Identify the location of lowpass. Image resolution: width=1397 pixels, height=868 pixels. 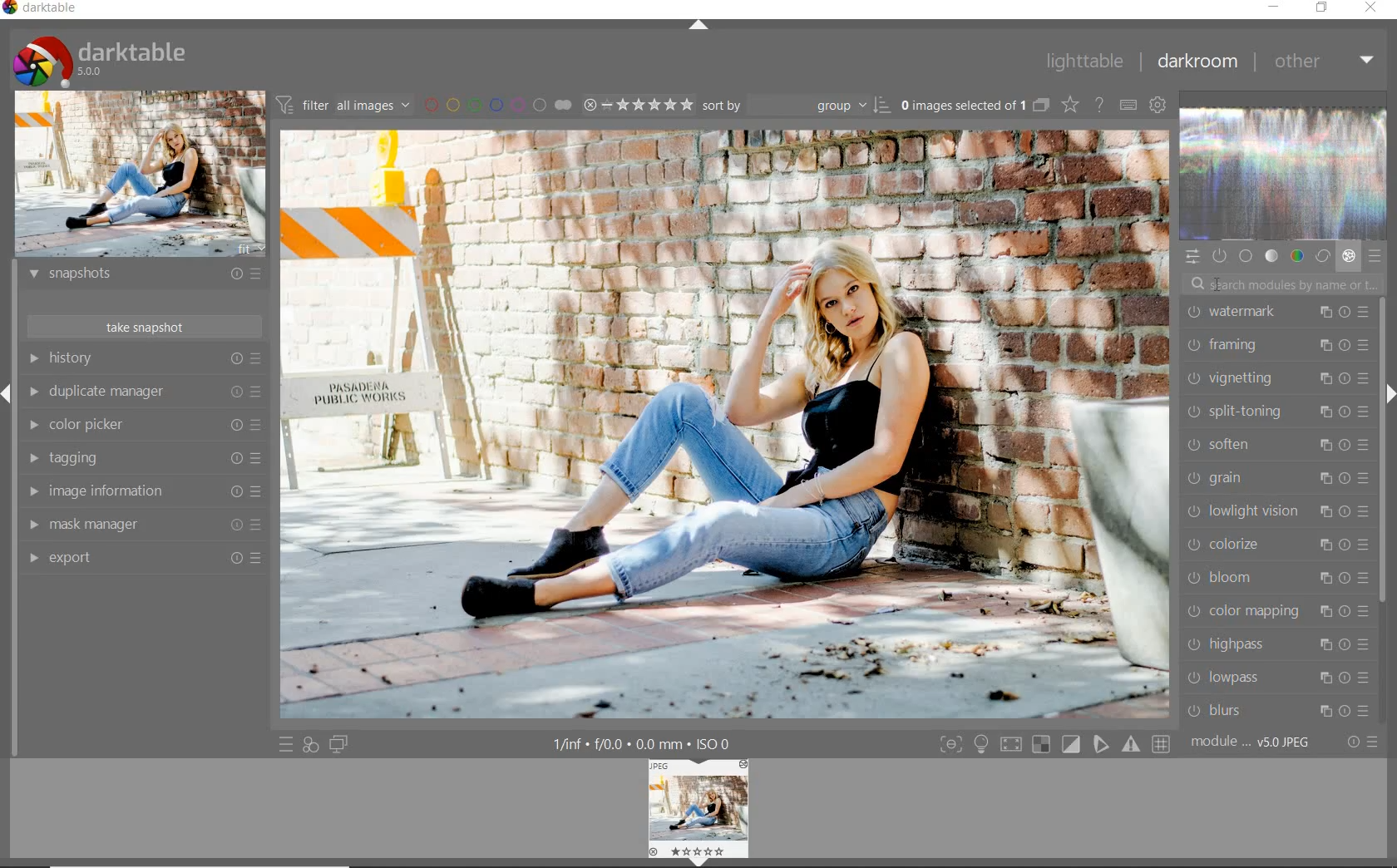
(1276, 679).